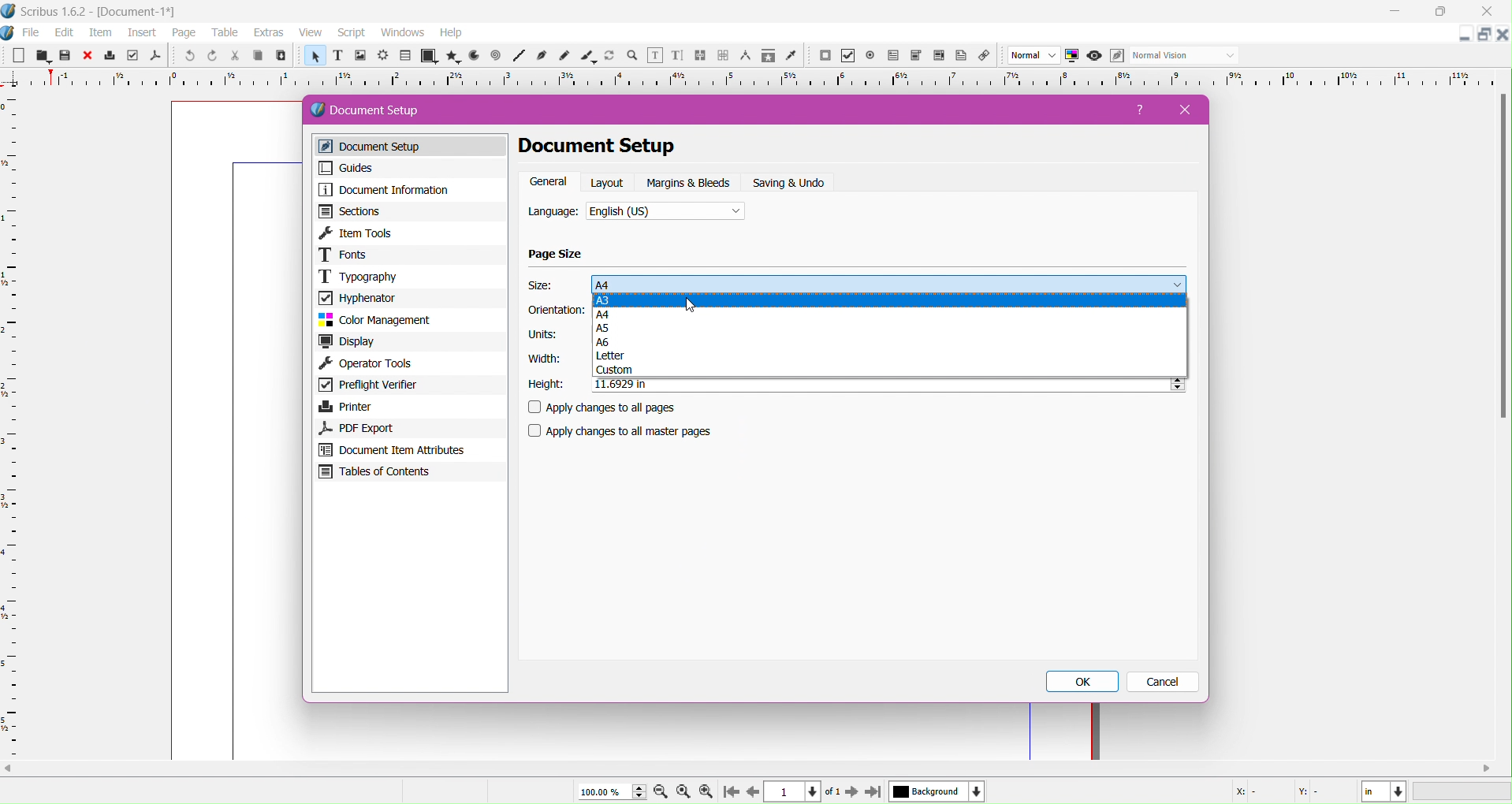 The image size is (1512, 804). Describe the element at coordinates (890, 316) in the screenshot. I see `A4` at that location.